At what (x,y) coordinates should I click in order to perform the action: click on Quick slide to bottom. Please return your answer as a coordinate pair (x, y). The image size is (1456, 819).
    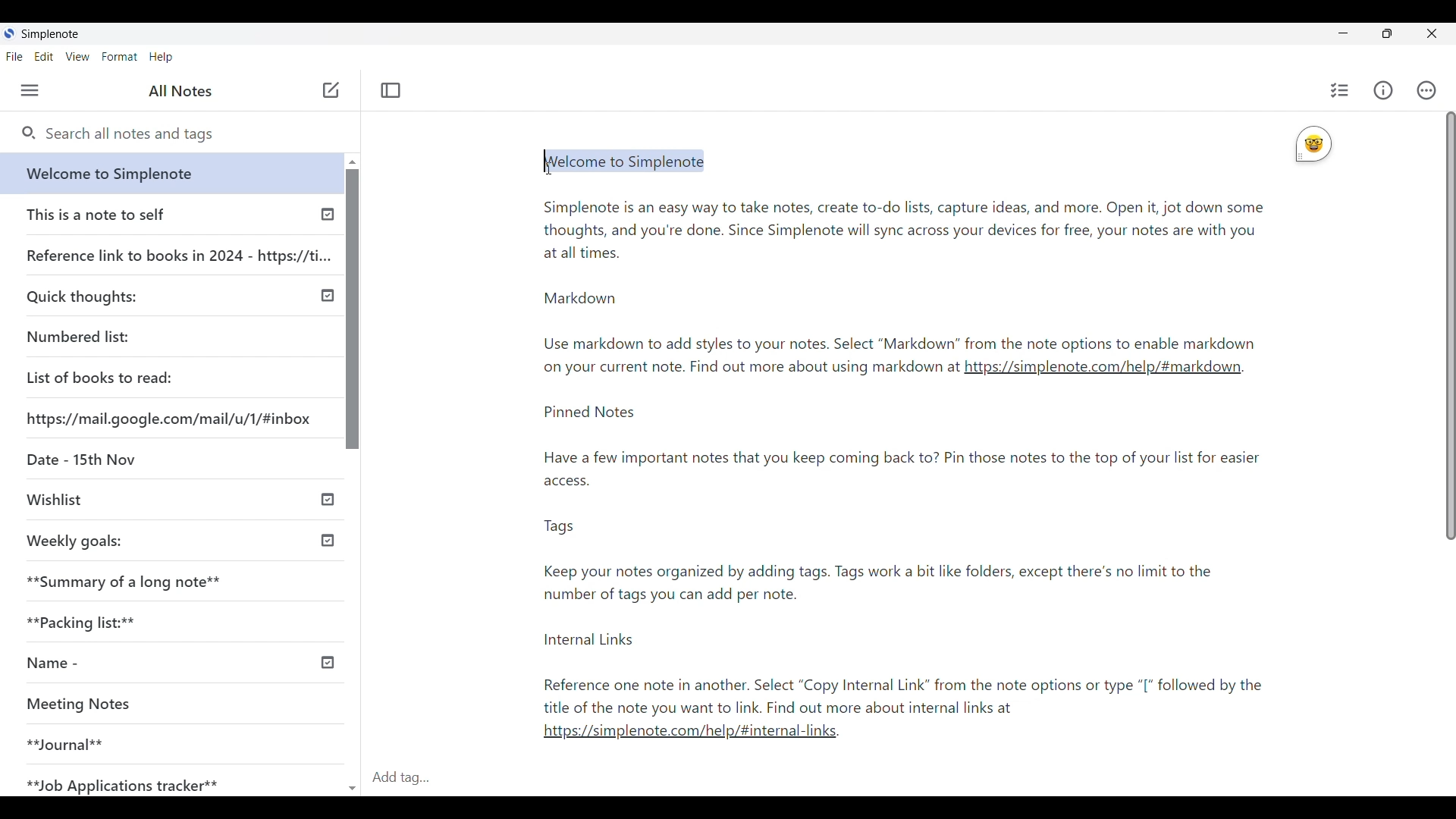
    Looking at the image, I should click on (352, 781).